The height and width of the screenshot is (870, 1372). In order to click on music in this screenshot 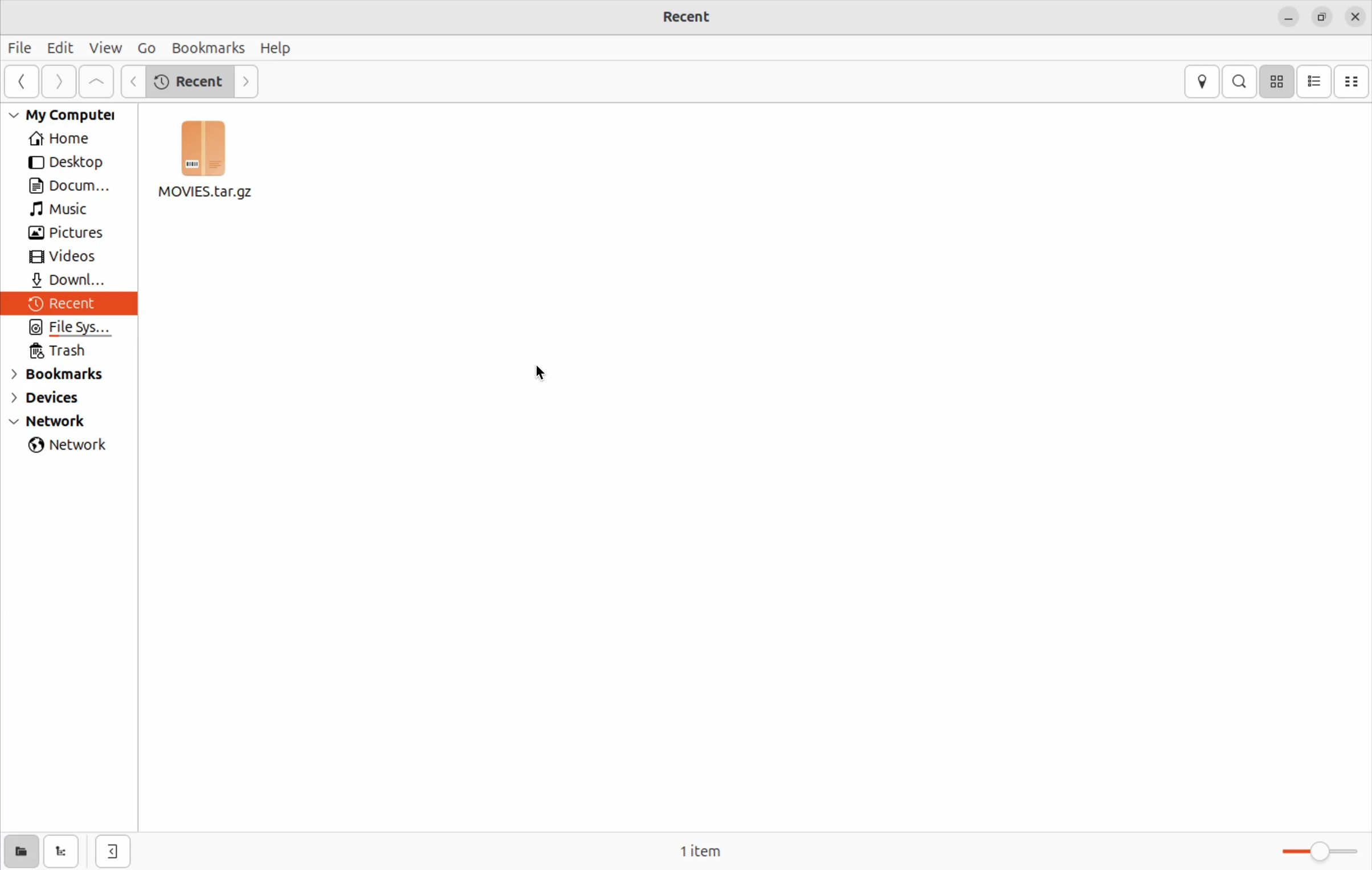, I will do `click(73, 211)`.